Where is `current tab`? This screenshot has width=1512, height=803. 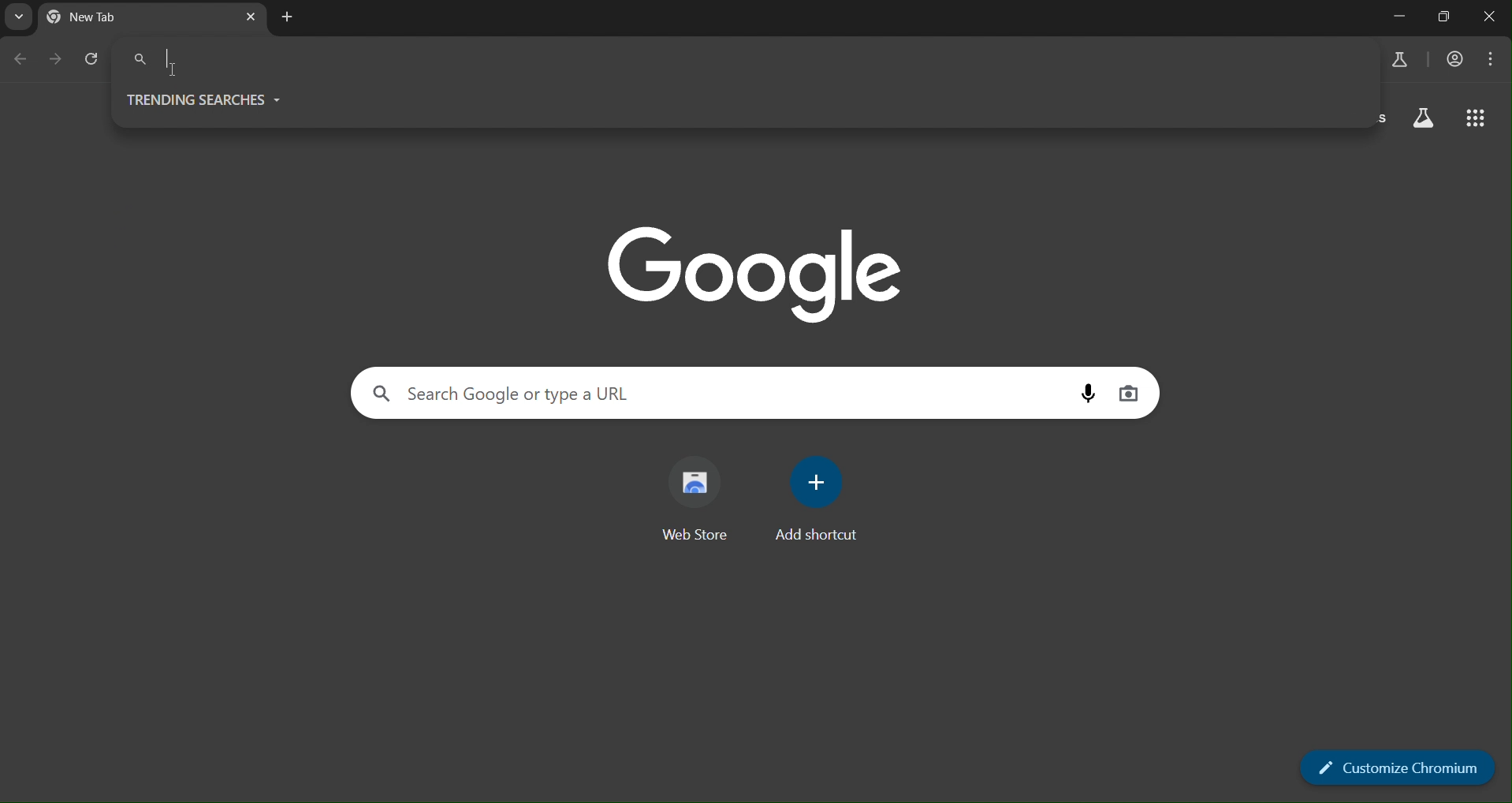
current tab is located at coordinates (110, 18).